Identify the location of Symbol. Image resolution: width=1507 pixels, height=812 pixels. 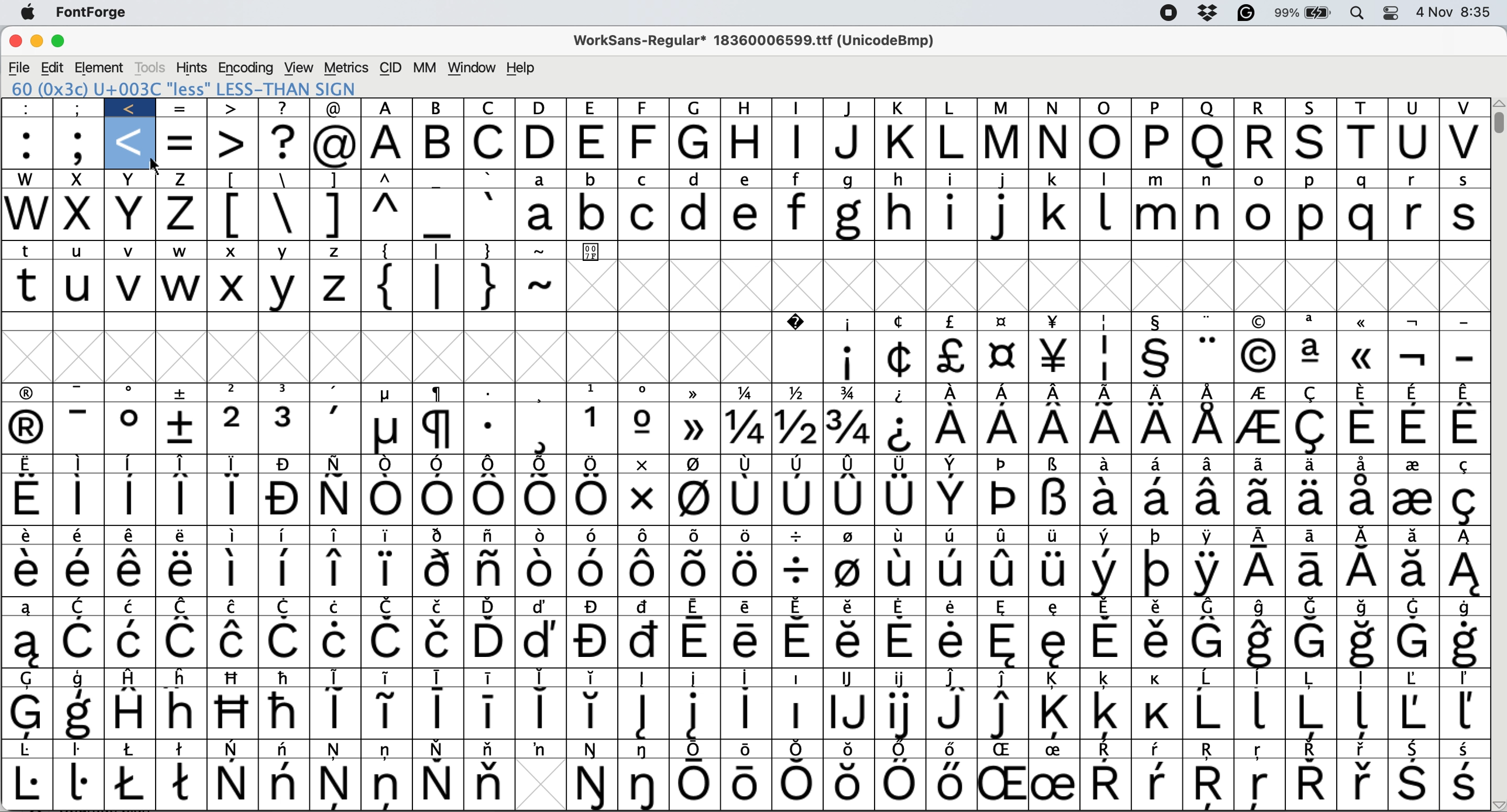
(1412, 572).